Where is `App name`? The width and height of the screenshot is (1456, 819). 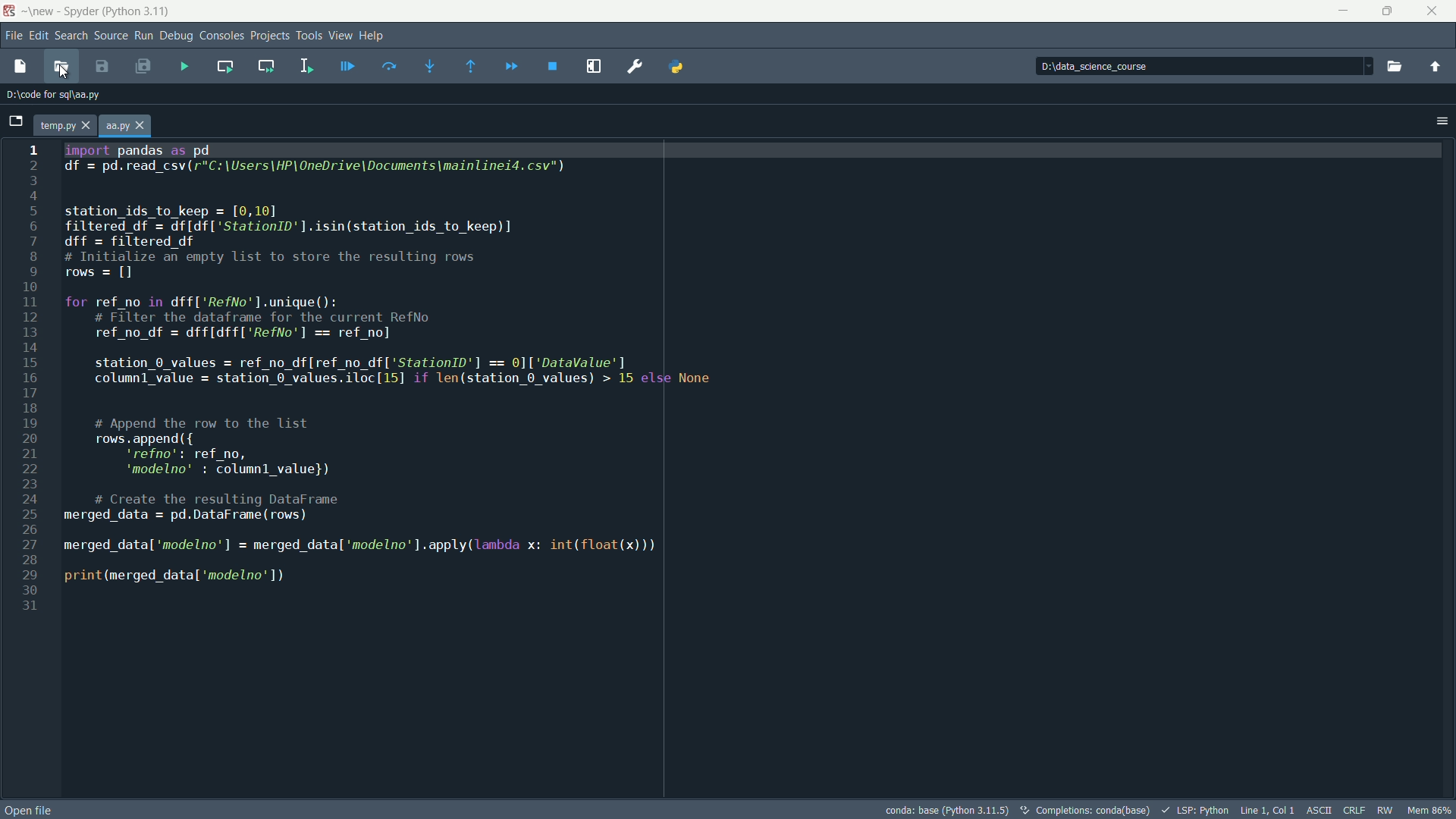 App name is located at coordinates (101, 11).